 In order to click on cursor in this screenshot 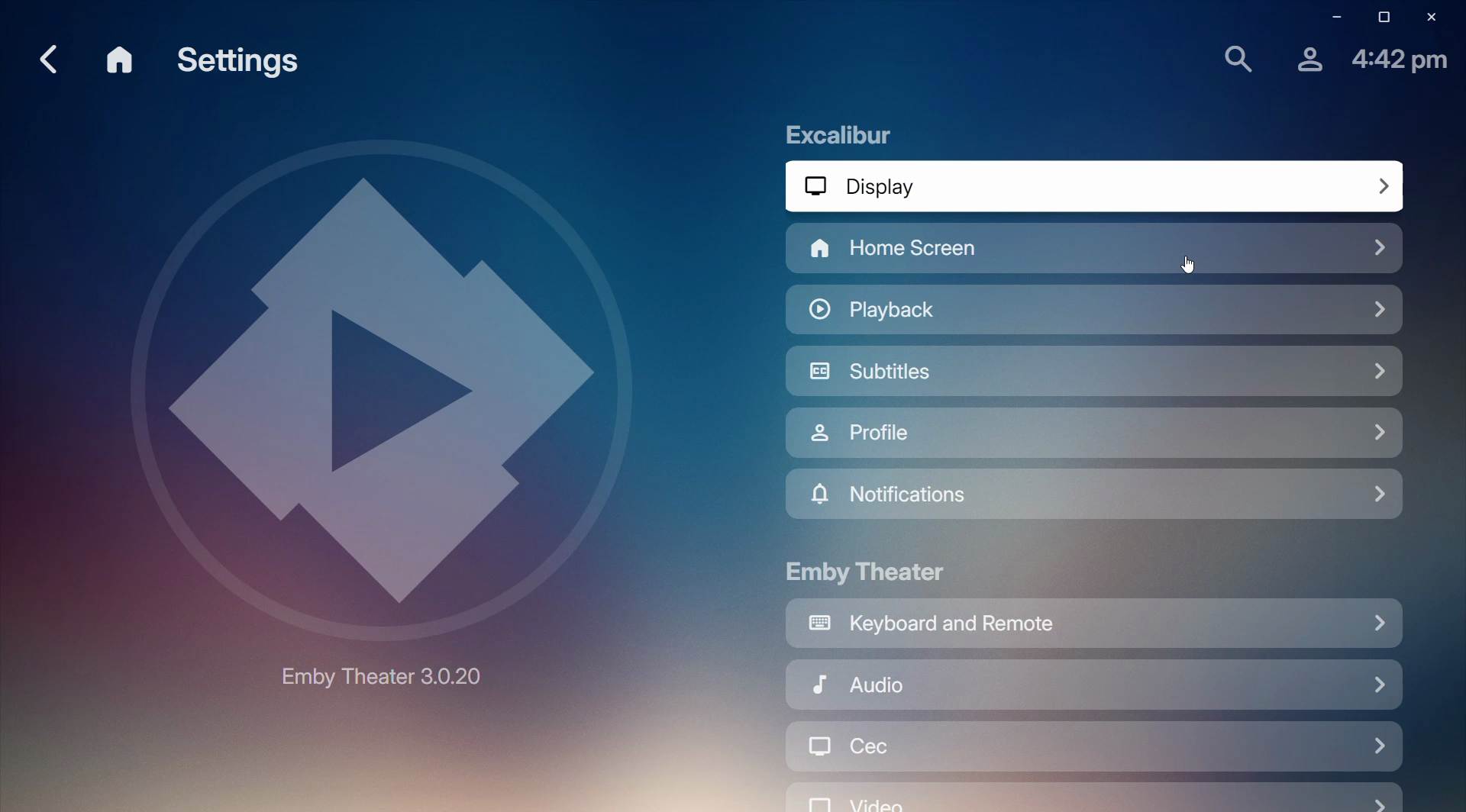, I will do `click(1187, 266)`.